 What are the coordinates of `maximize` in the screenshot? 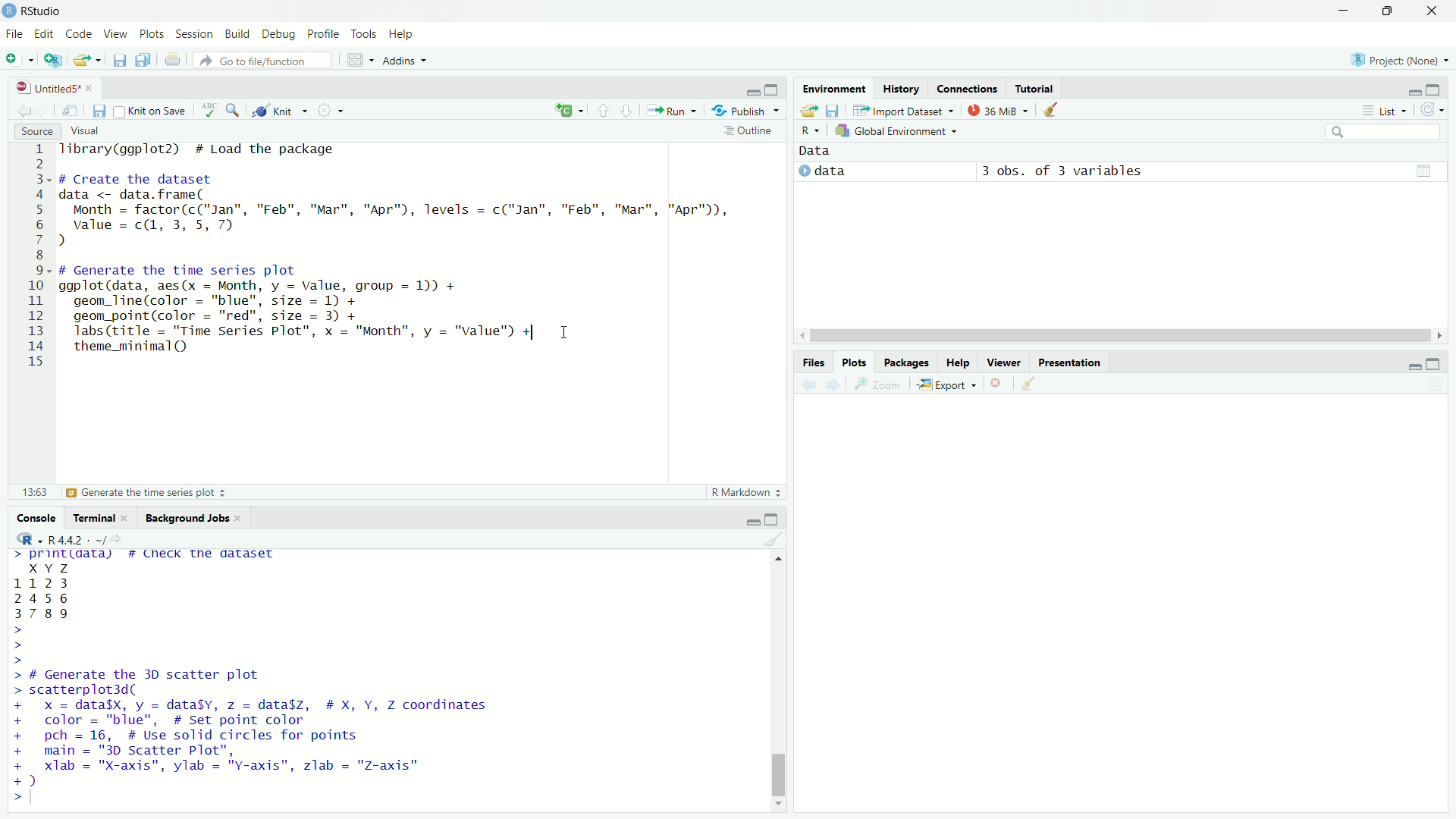 It's located at (1390, 11).